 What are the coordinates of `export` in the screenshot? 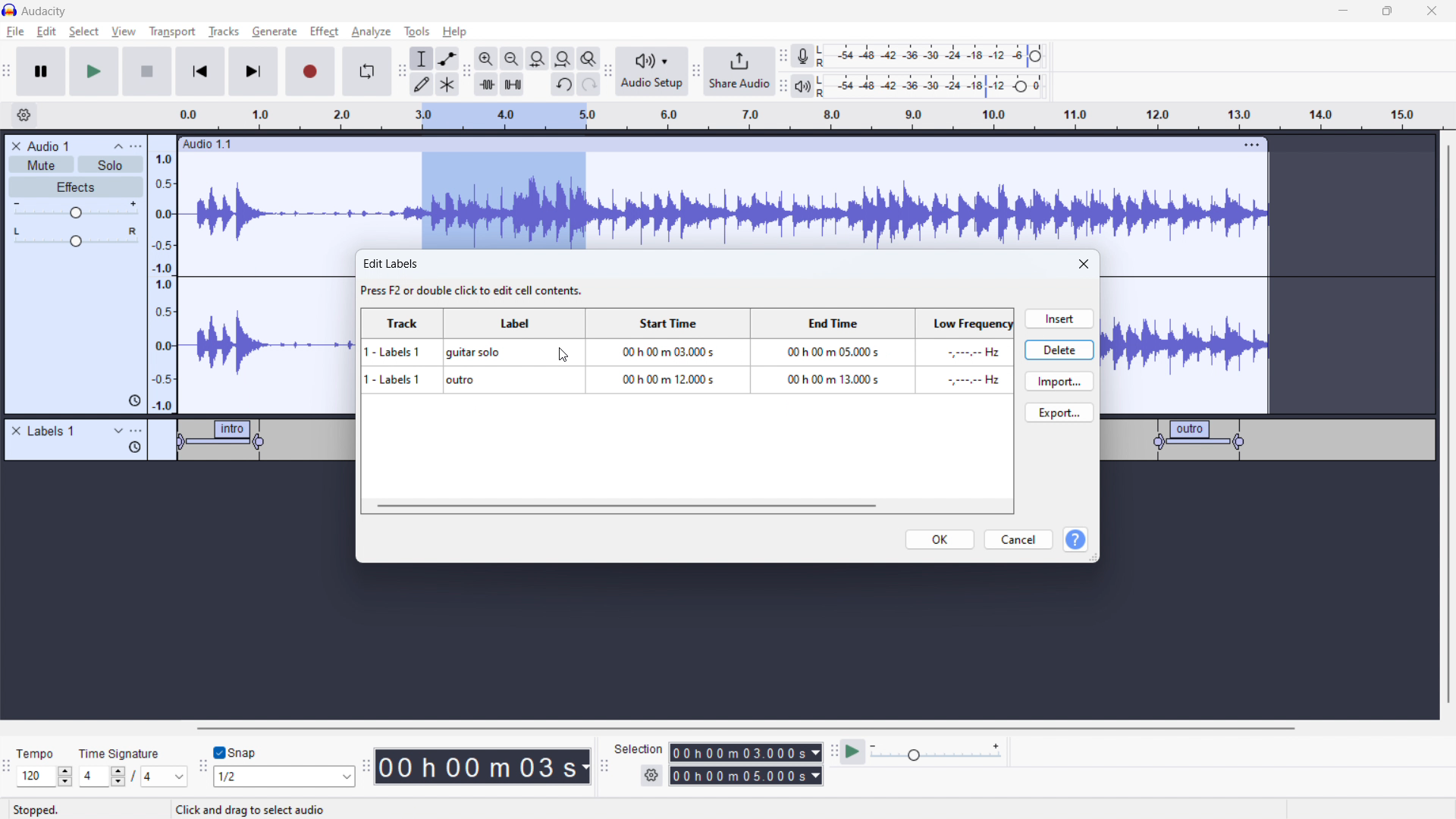 It's located at (1059, 412).